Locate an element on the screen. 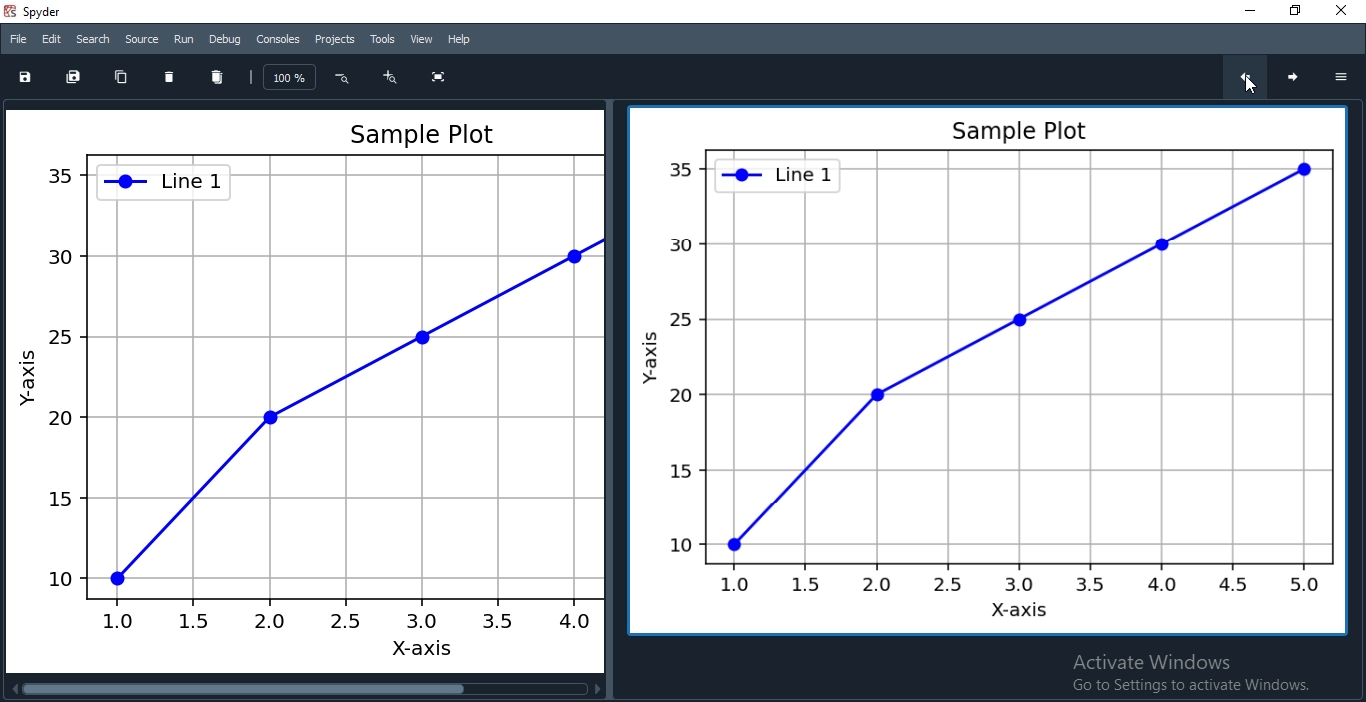 Image resolution: width=1366 pixels, height=702 pixels. View is located at coordinates (421, 38).